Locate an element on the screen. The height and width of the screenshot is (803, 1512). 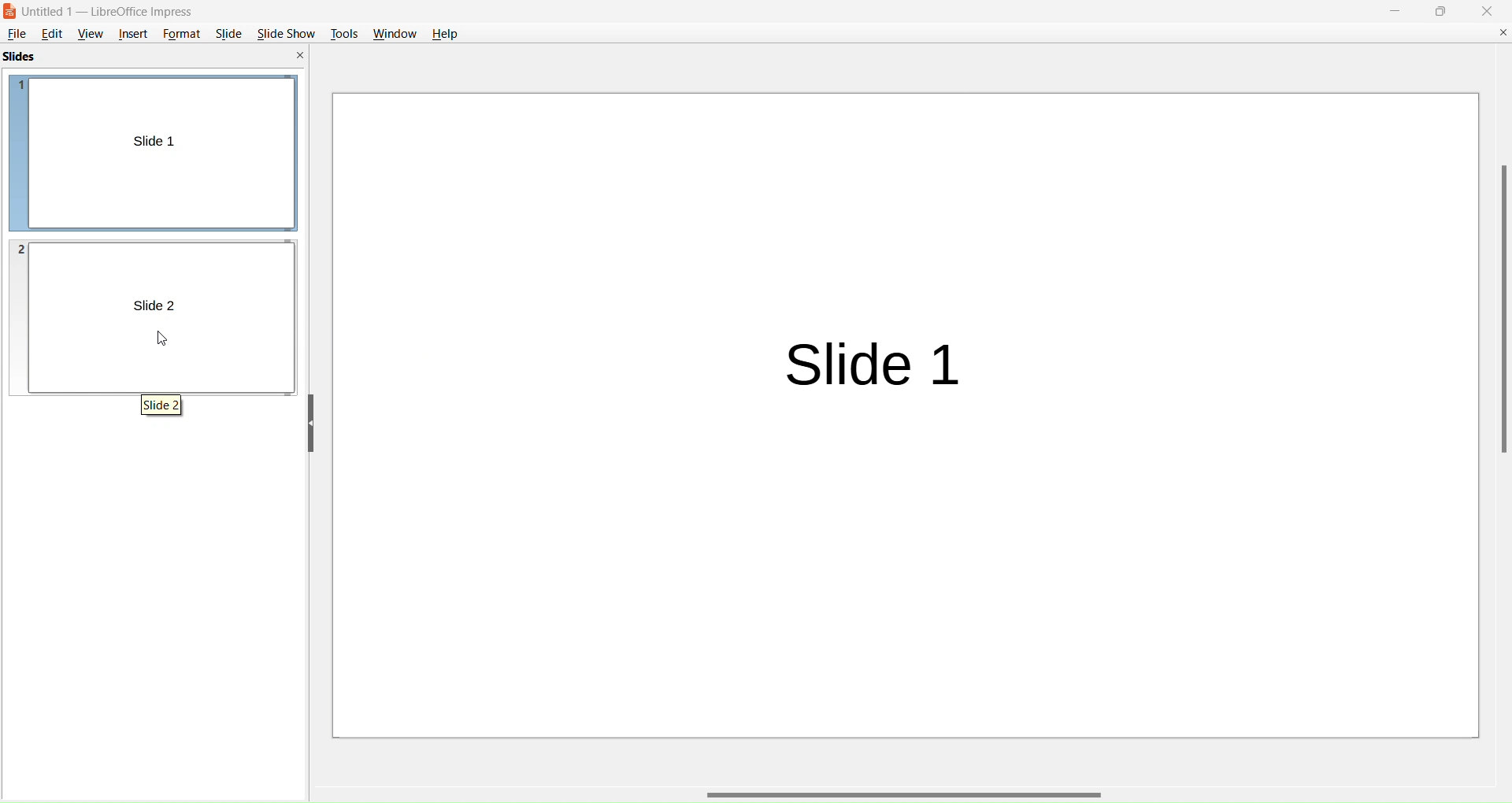
slide number is located at coordinates (20, 88).